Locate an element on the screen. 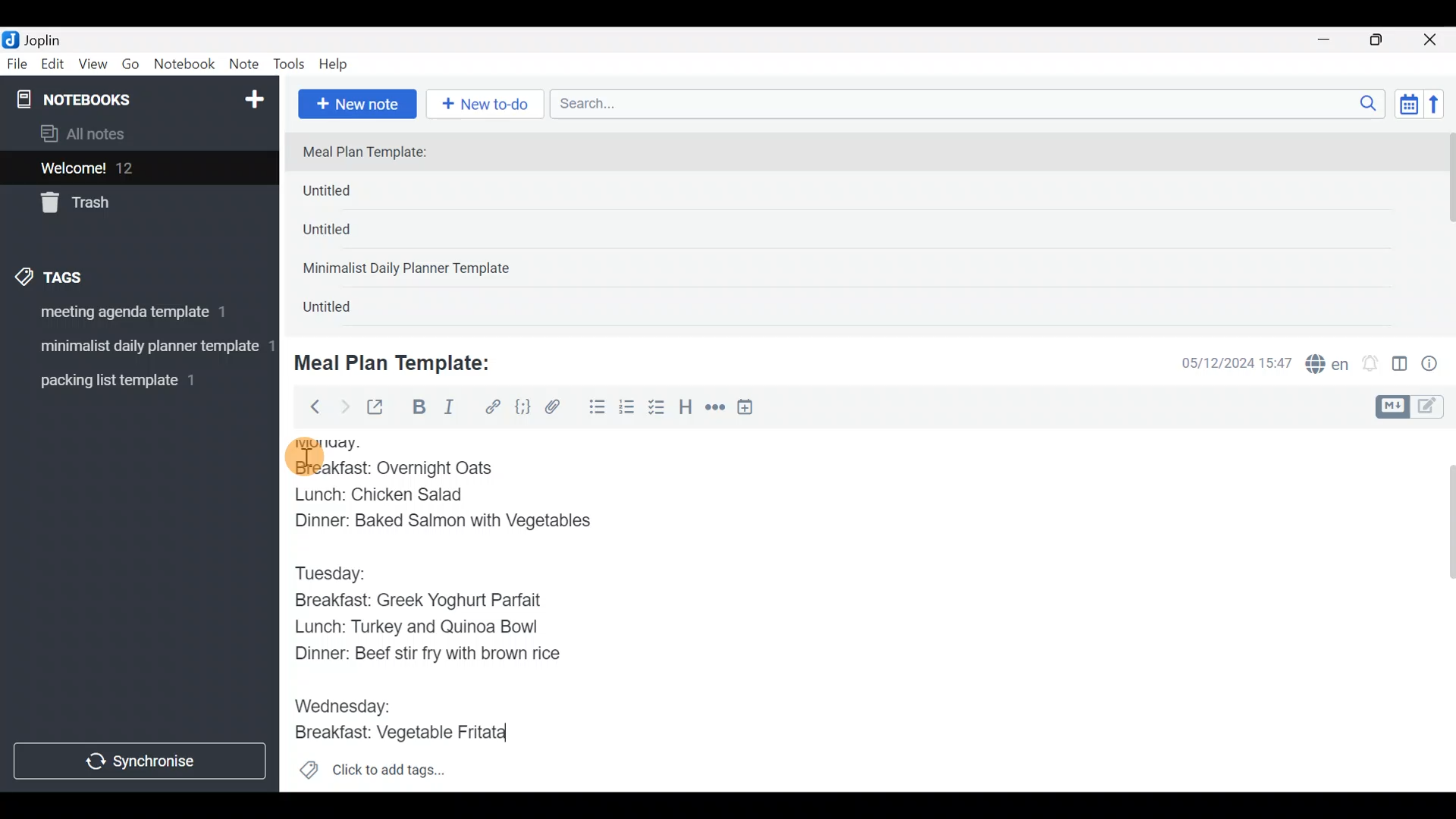  Click to add tags is located at coordinates (372, 775).